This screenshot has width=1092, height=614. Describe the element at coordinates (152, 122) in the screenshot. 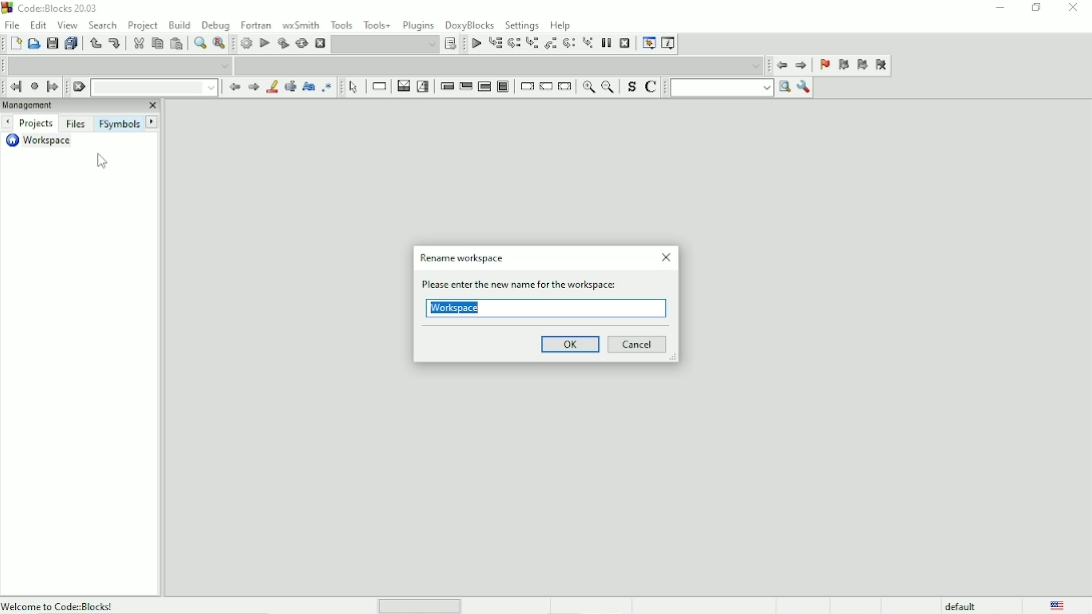

I see `Next` at that location.